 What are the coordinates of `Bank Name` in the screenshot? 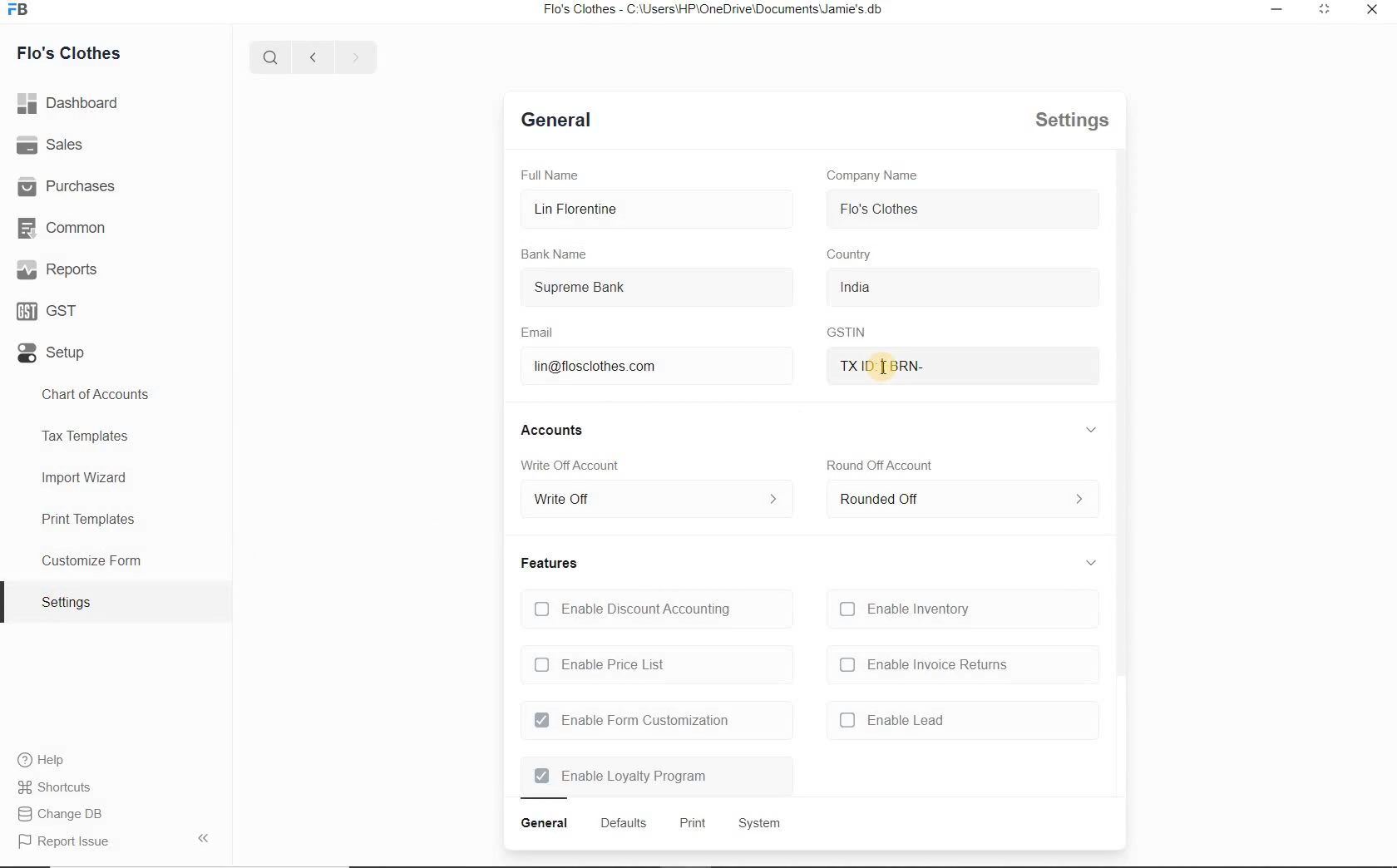 It's located at (556, 254).